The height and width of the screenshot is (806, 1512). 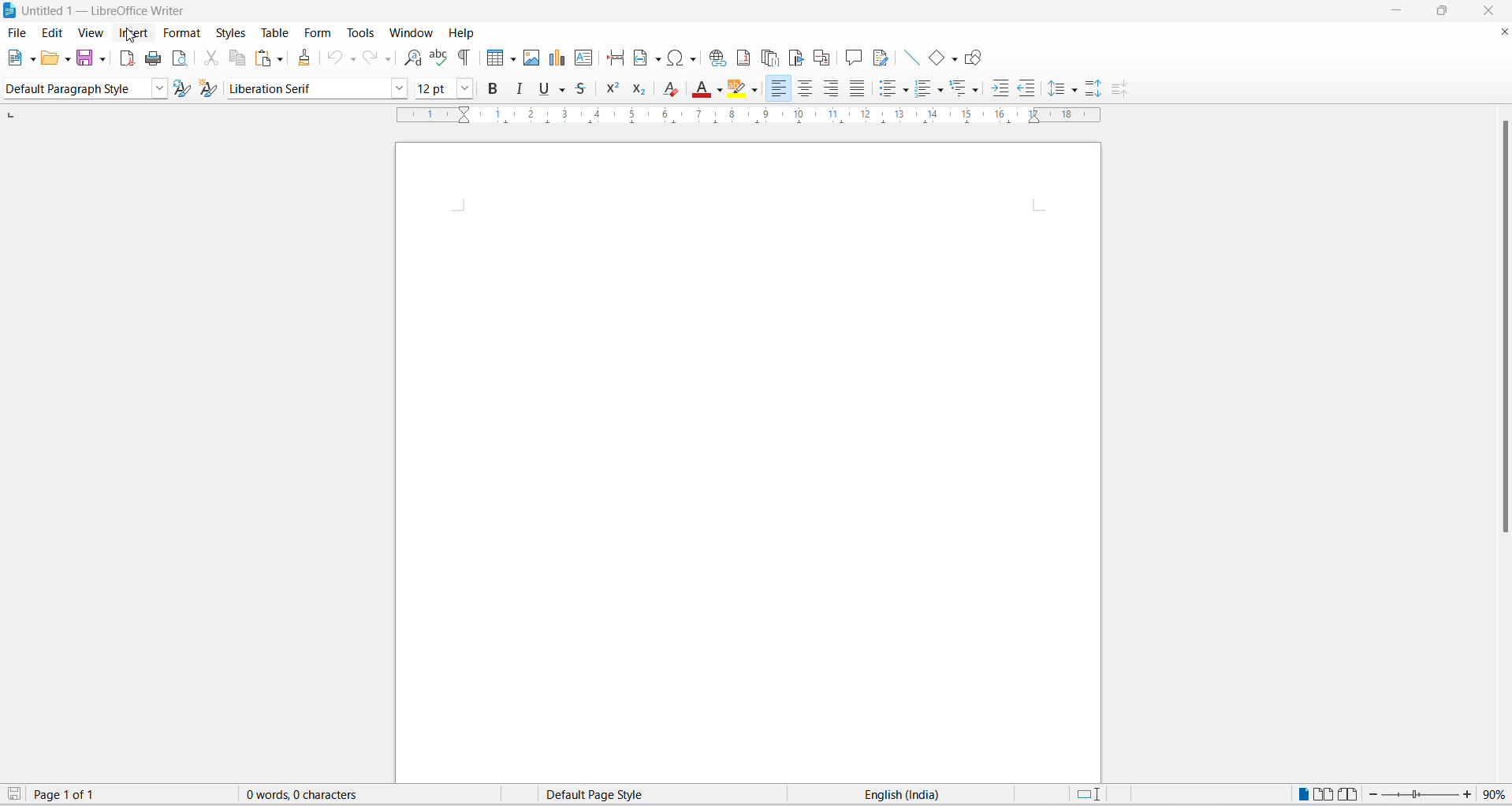 What do you see at coordinates (306, 58) in the screenshot?
I see `clone formatting` at bounding box center [306, 58].